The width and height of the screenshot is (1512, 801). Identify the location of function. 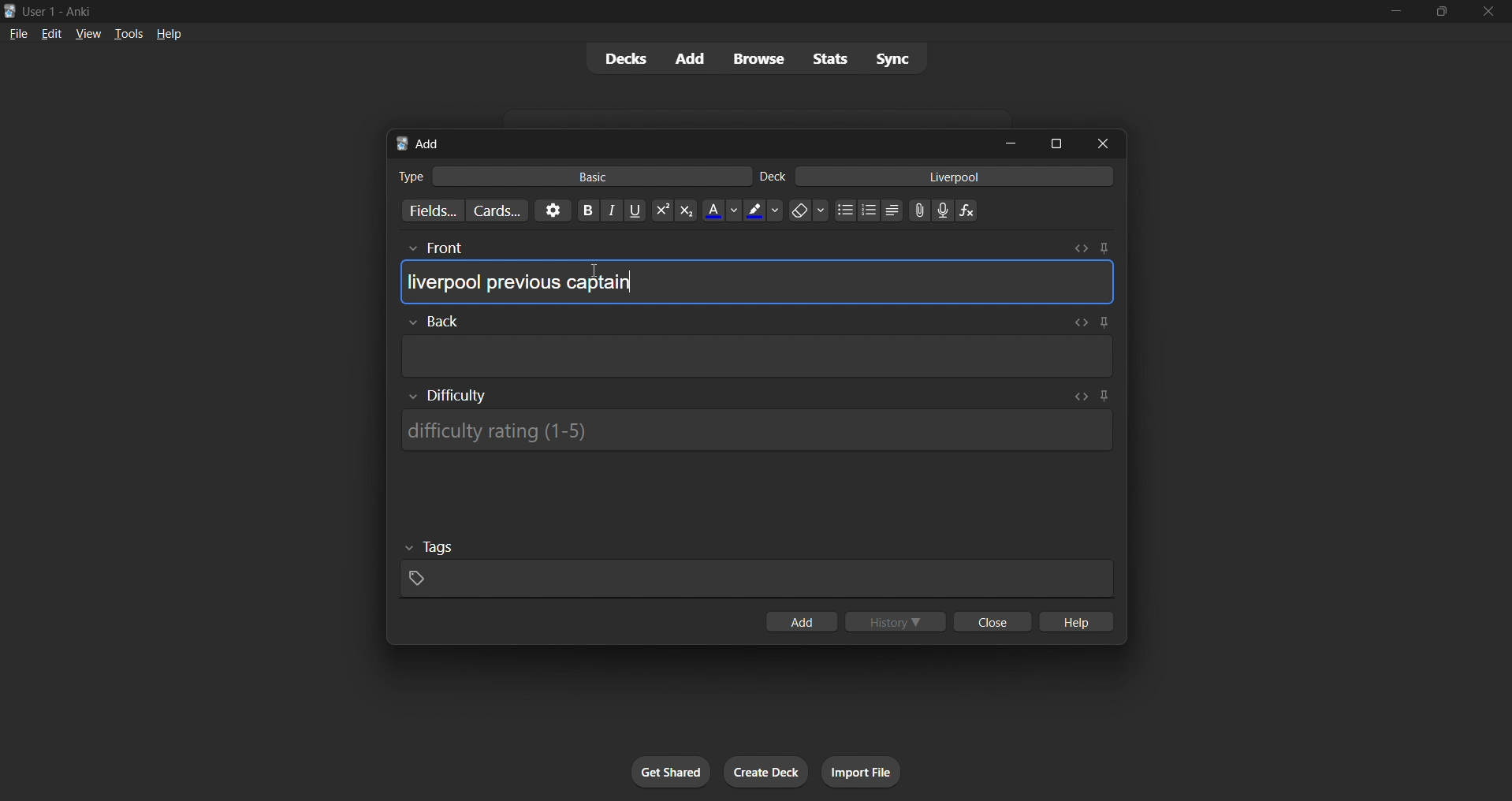
(972, 211).